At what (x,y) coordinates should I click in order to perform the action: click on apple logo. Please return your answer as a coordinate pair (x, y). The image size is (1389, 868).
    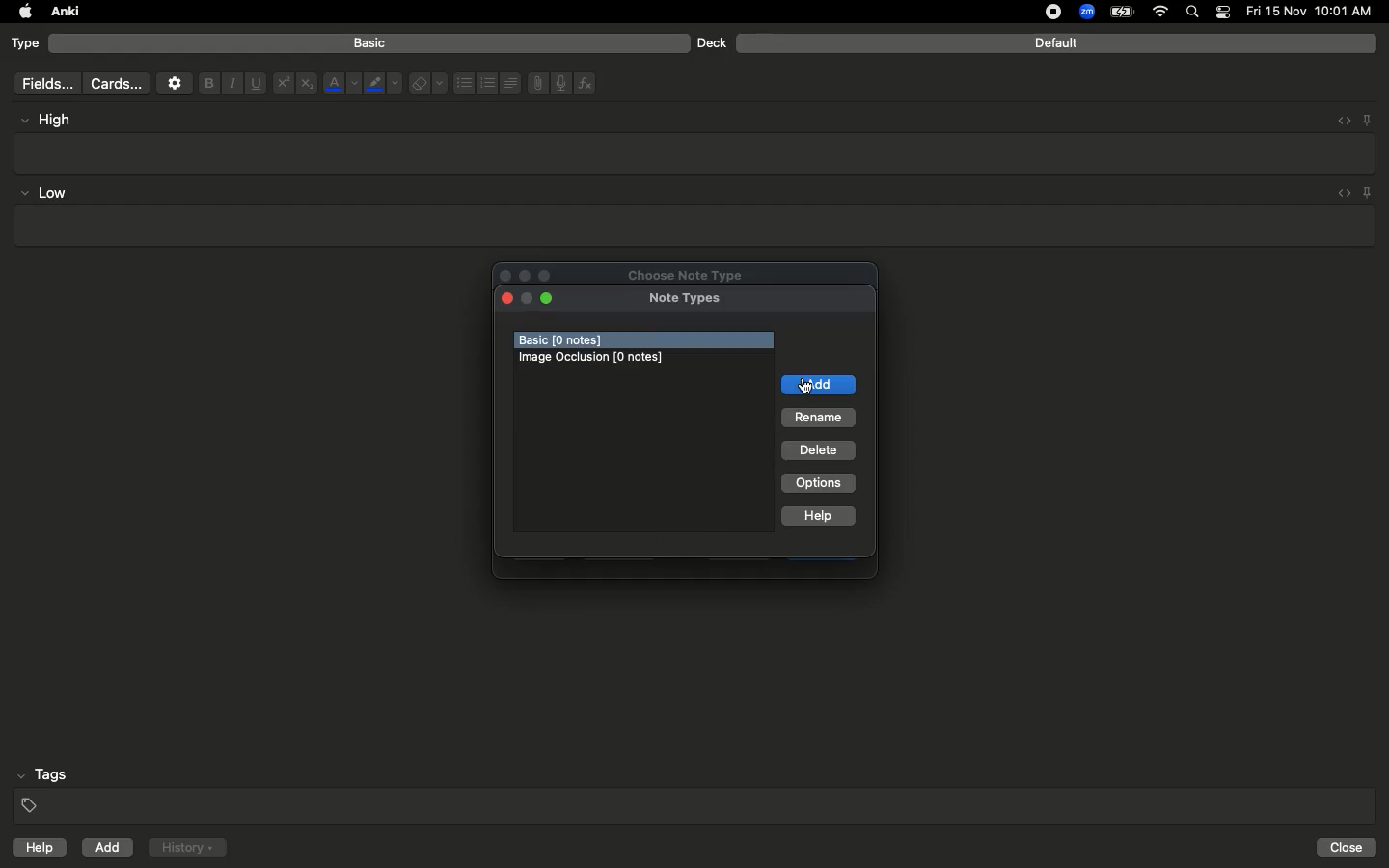
    Looking at the image, I should click on (20, 12).